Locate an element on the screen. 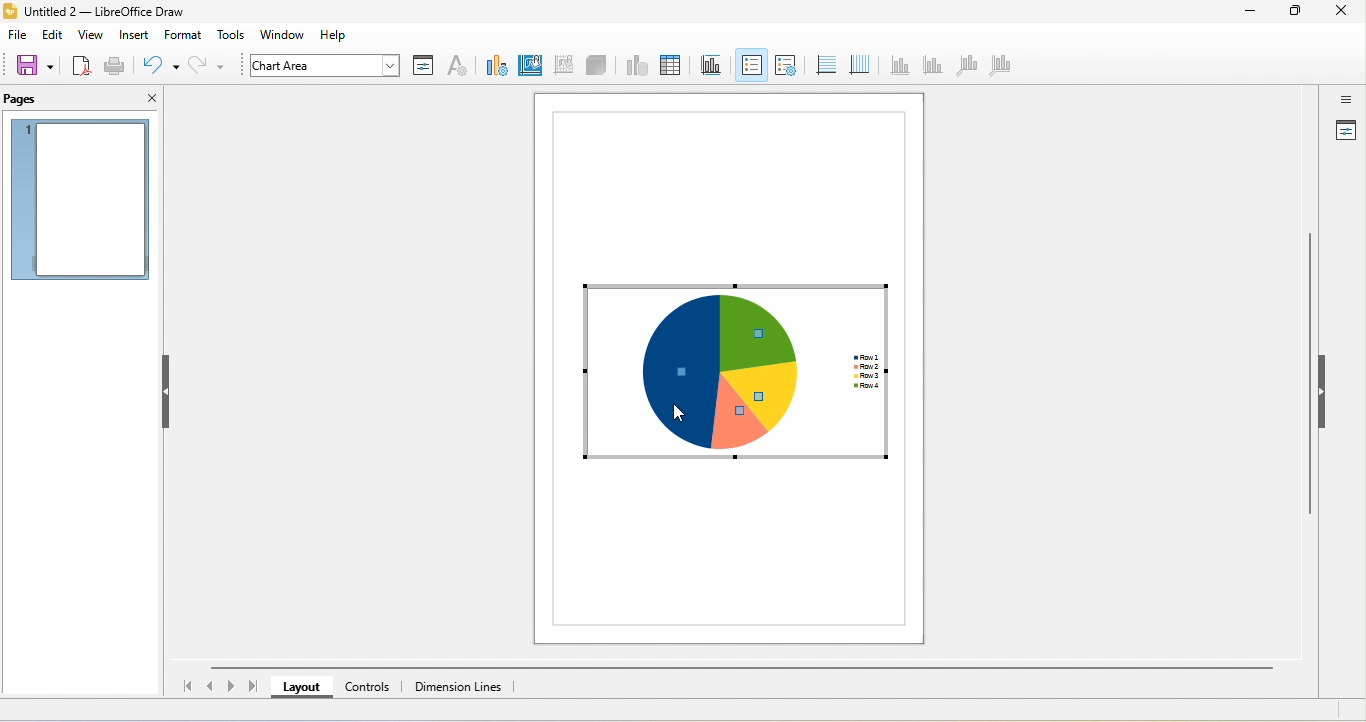 The image size is (1366, 722). controls is located at coordinates (371, 686).